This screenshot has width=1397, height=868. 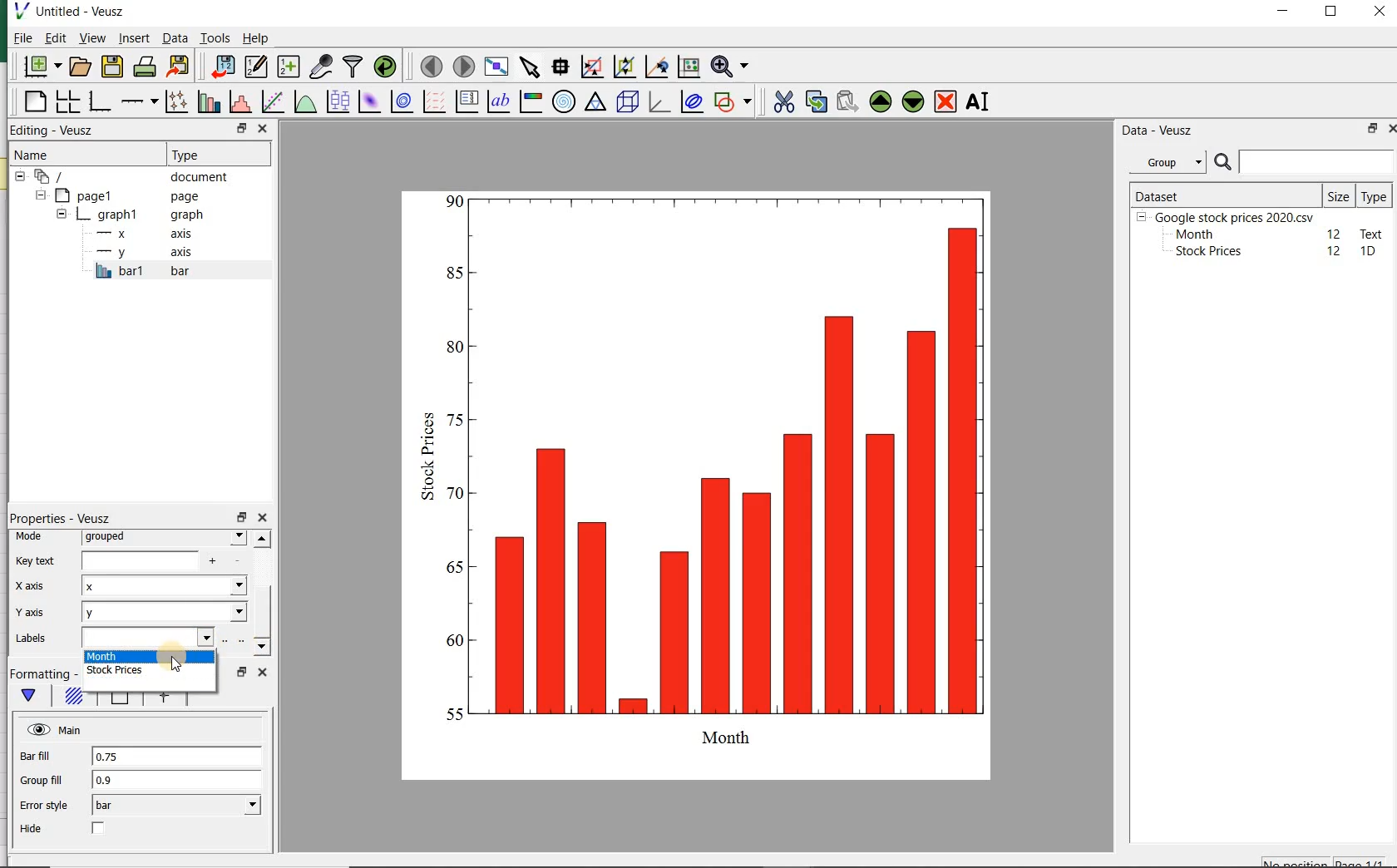 I want to click on export to graphics format, so click(x=179, y=67).